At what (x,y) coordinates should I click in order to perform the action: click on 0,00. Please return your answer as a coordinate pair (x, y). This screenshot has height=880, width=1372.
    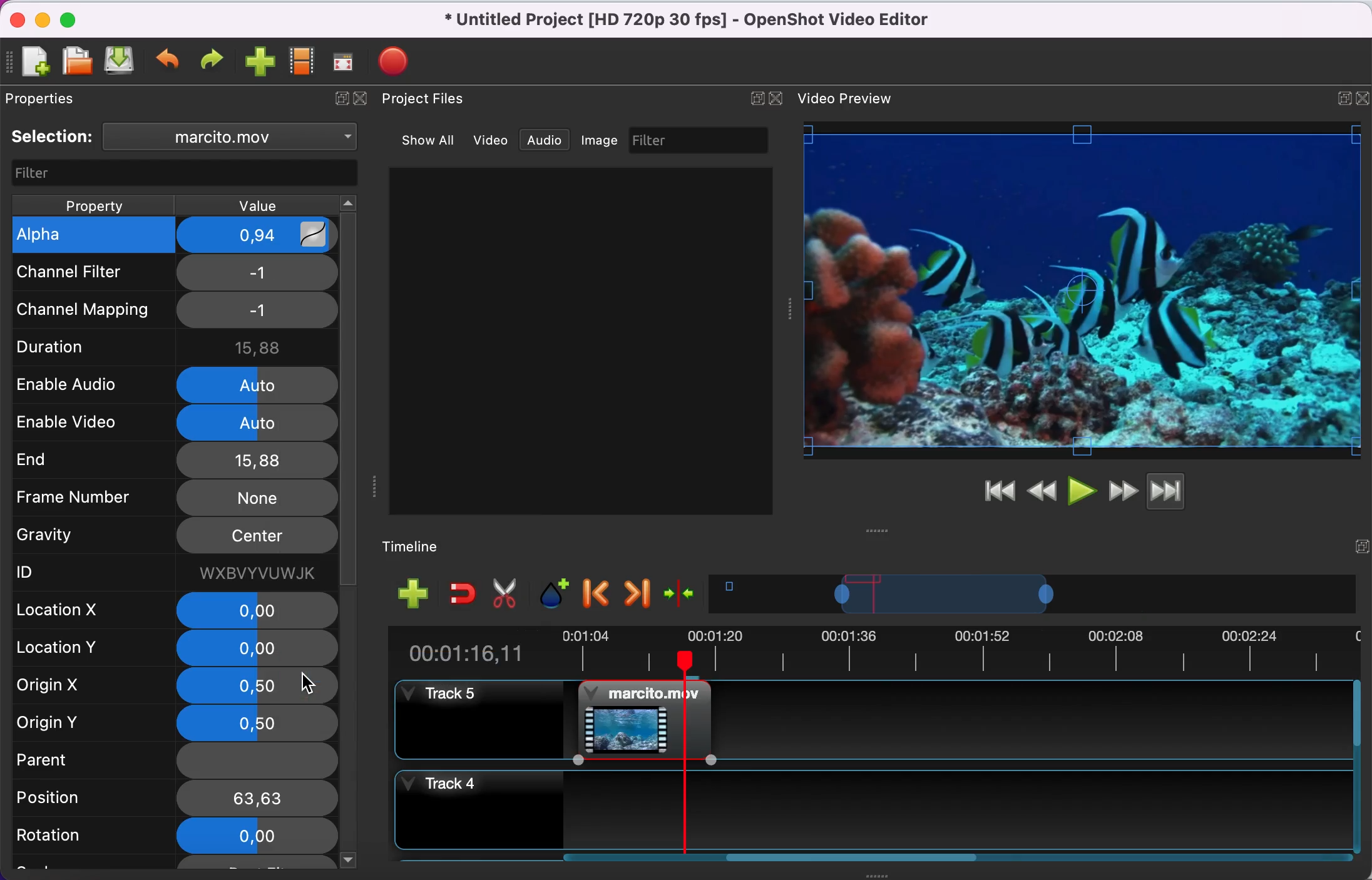
    Looking at the image, I should click on (251, 836).